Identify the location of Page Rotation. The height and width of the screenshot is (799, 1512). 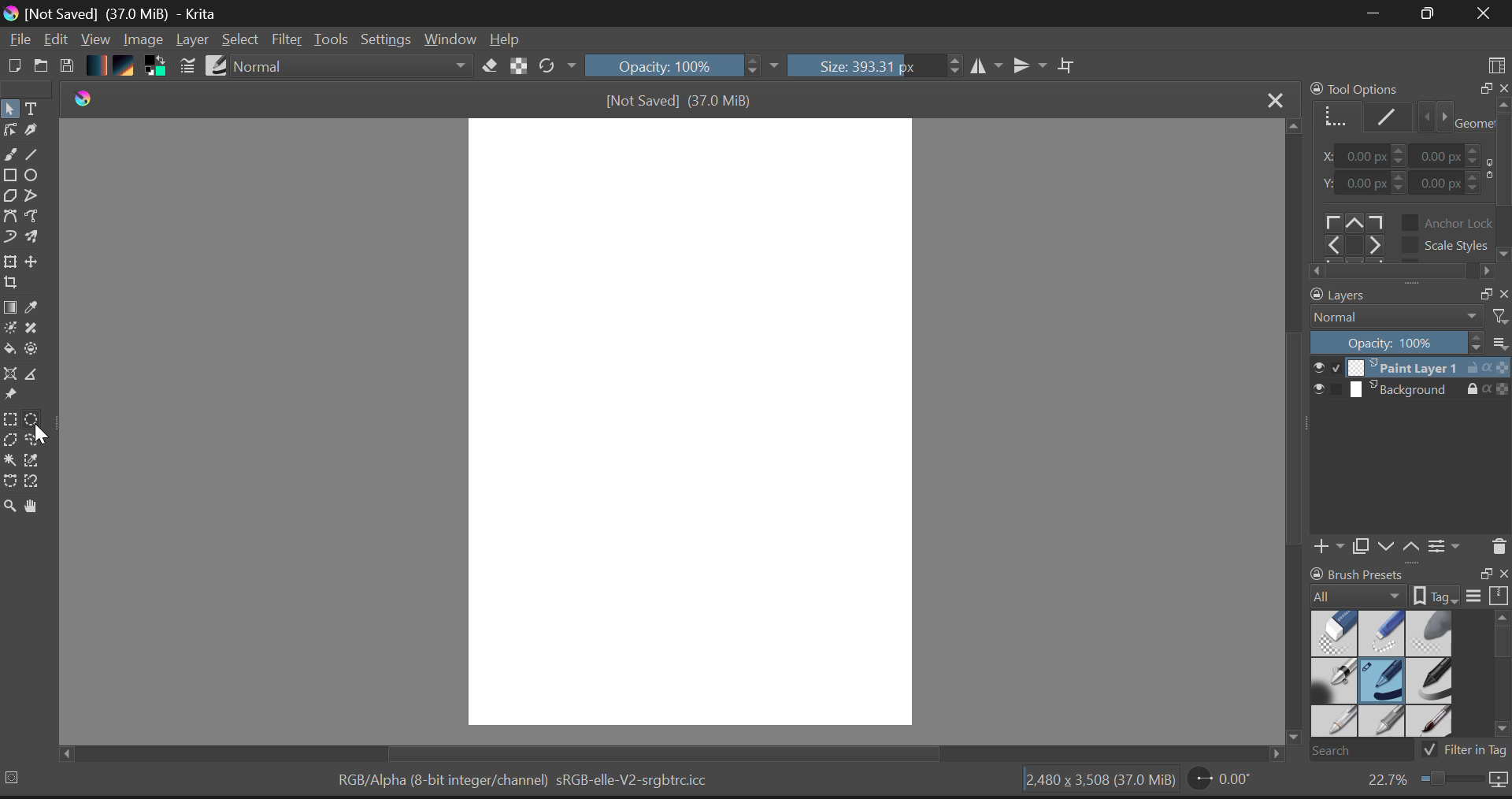
(1221, 782).